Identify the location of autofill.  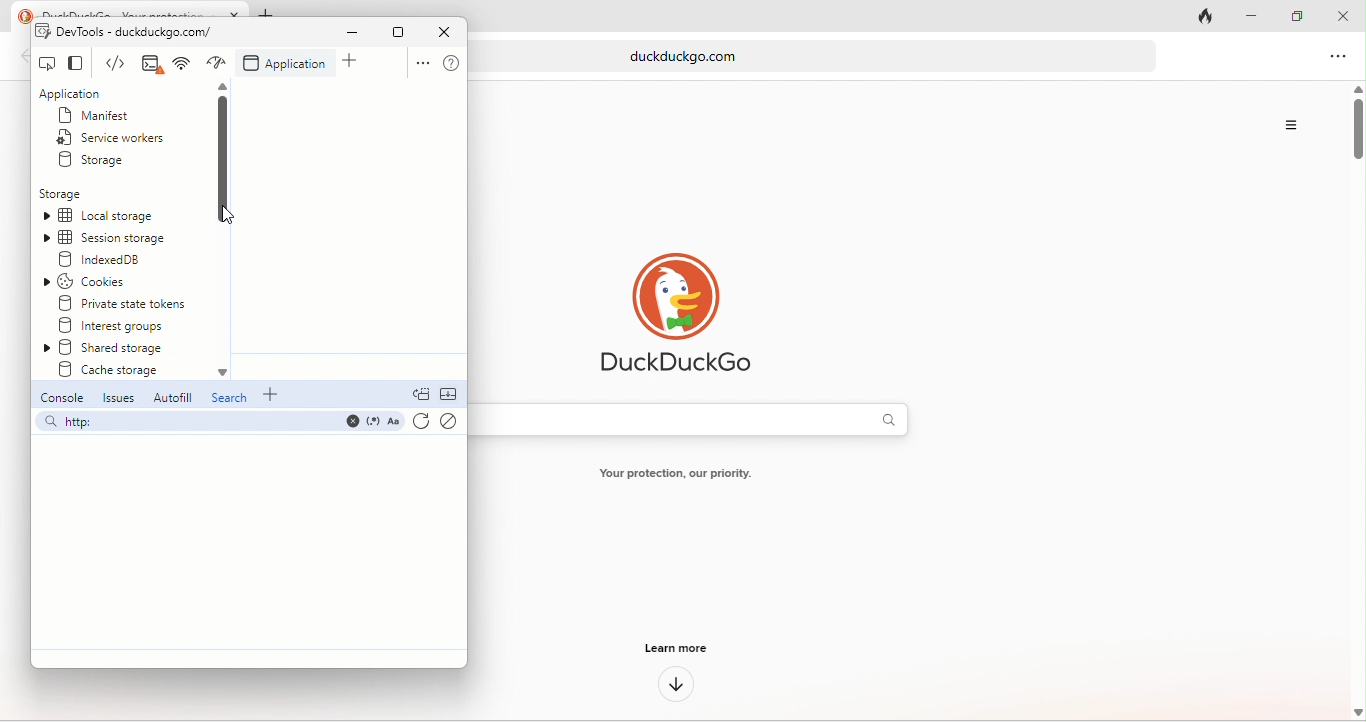
(170, 397).